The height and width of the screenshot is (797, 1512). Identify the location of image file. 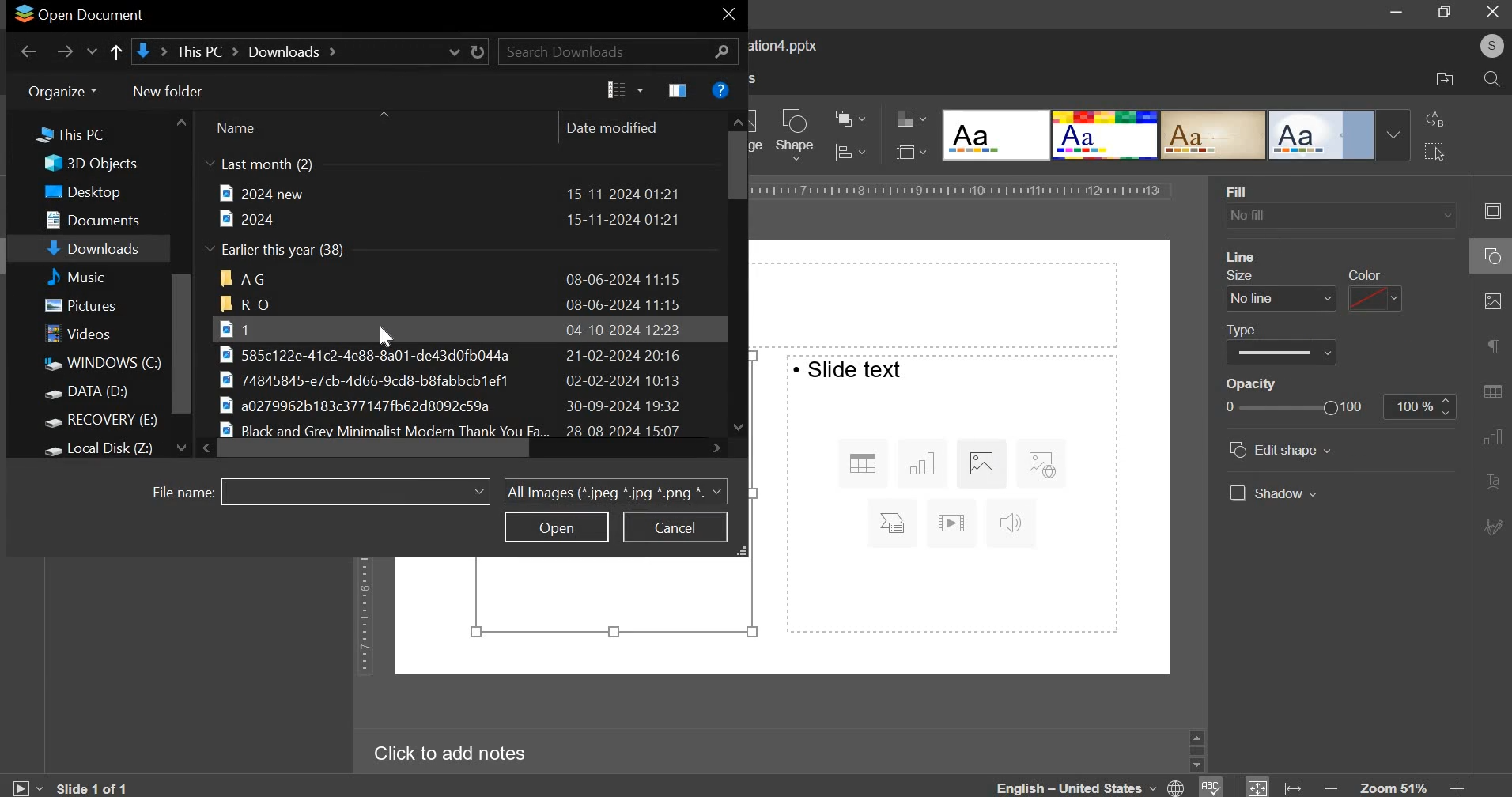
(455, 354).